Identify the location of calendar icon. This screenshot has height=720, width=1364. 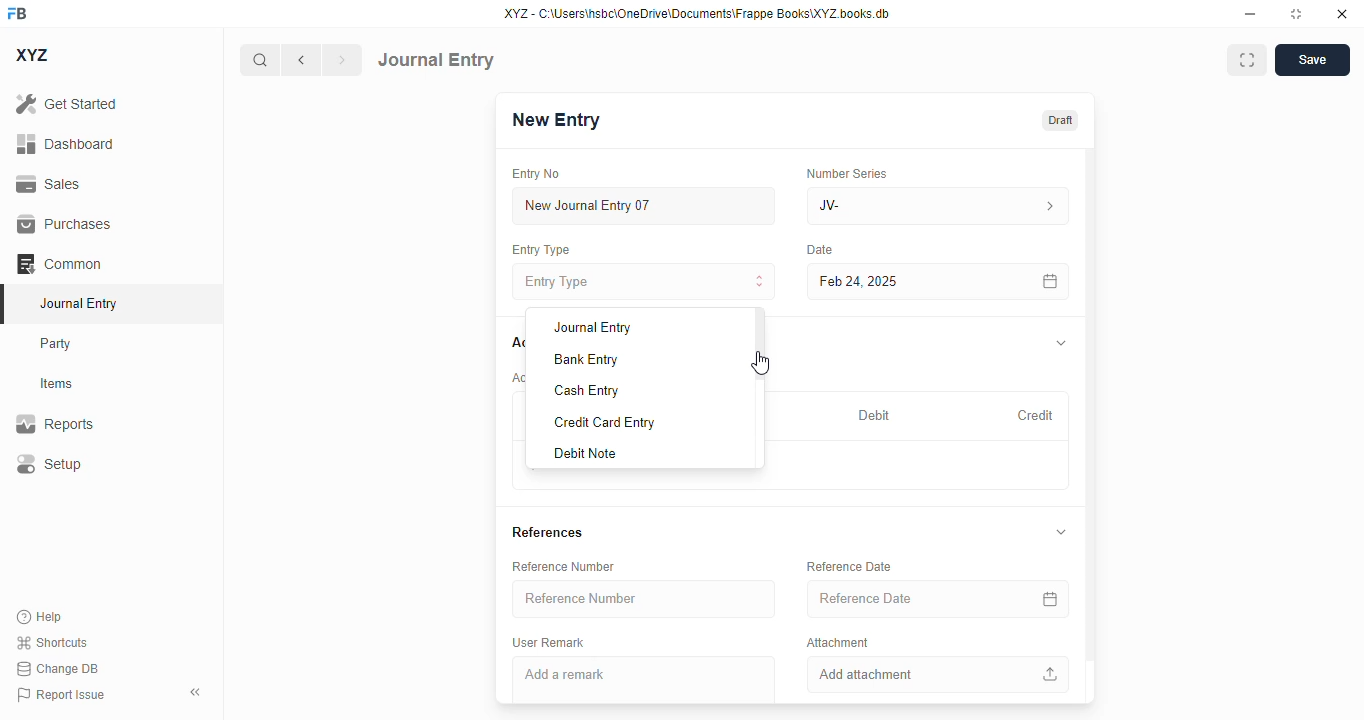
(1049, 599).